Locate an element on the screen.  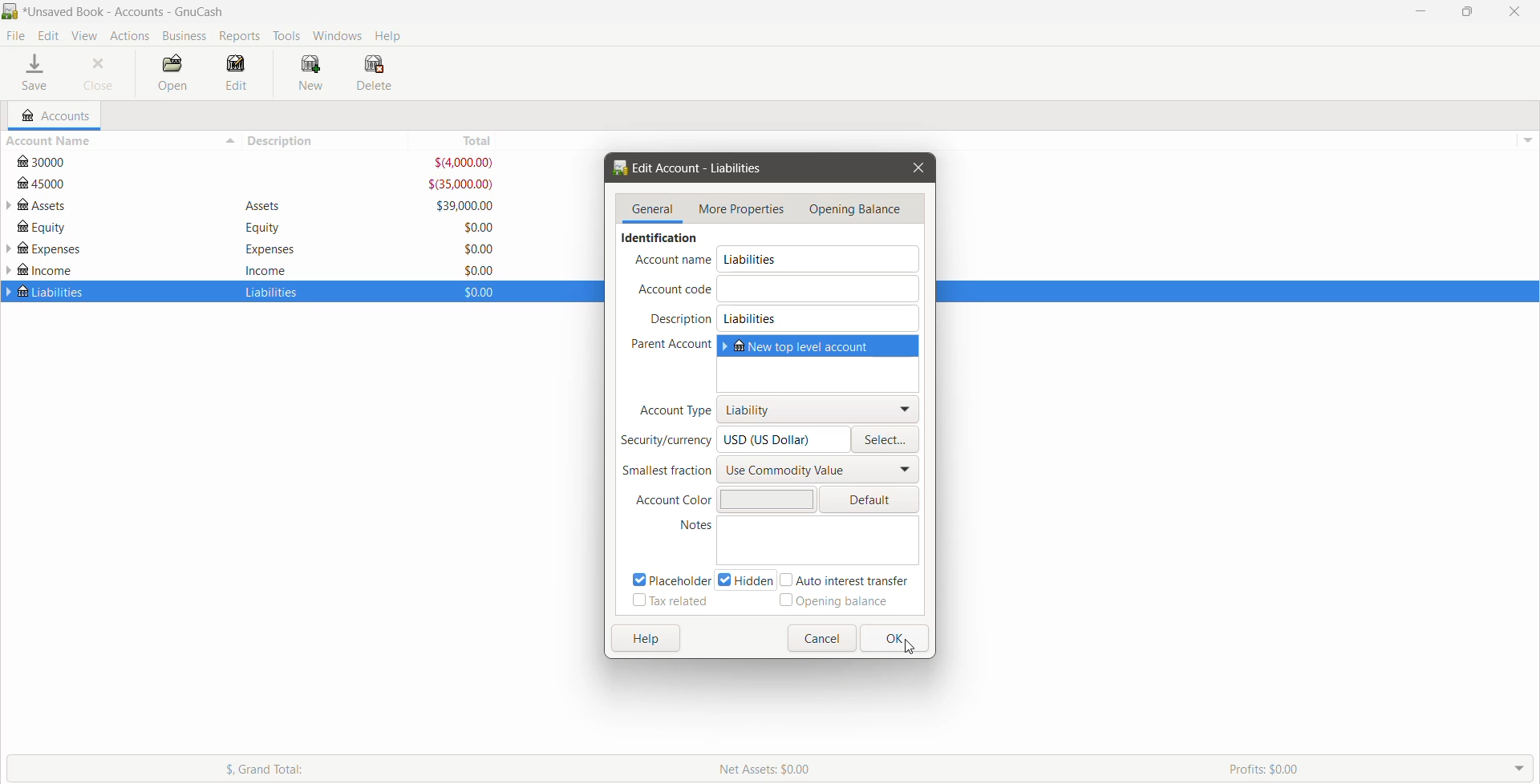
details of the account "Equity" is located at coordinates (259, 228).